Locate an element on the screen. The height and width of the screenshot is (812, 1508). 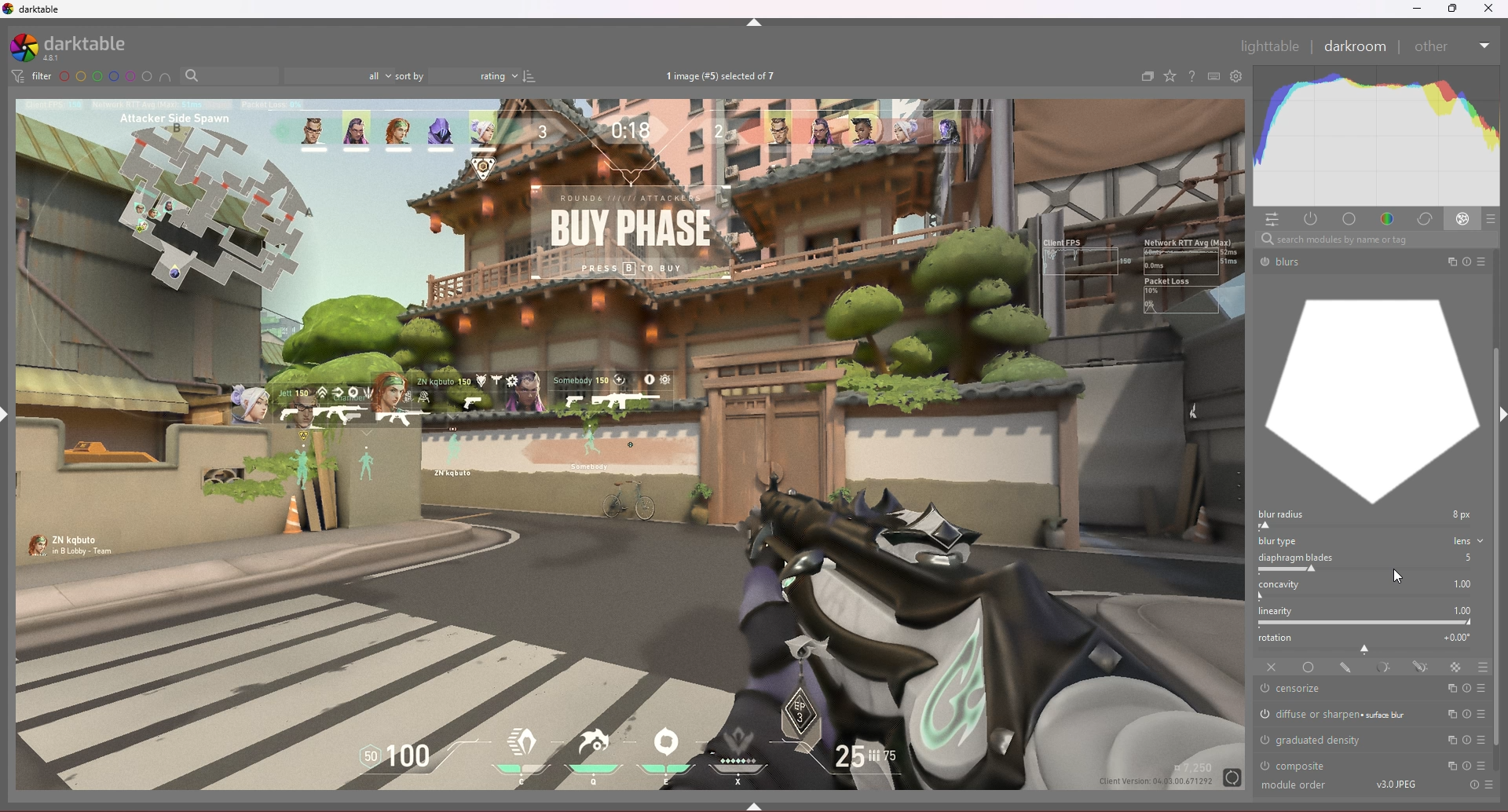
 is located at coordinates (1470, 262).